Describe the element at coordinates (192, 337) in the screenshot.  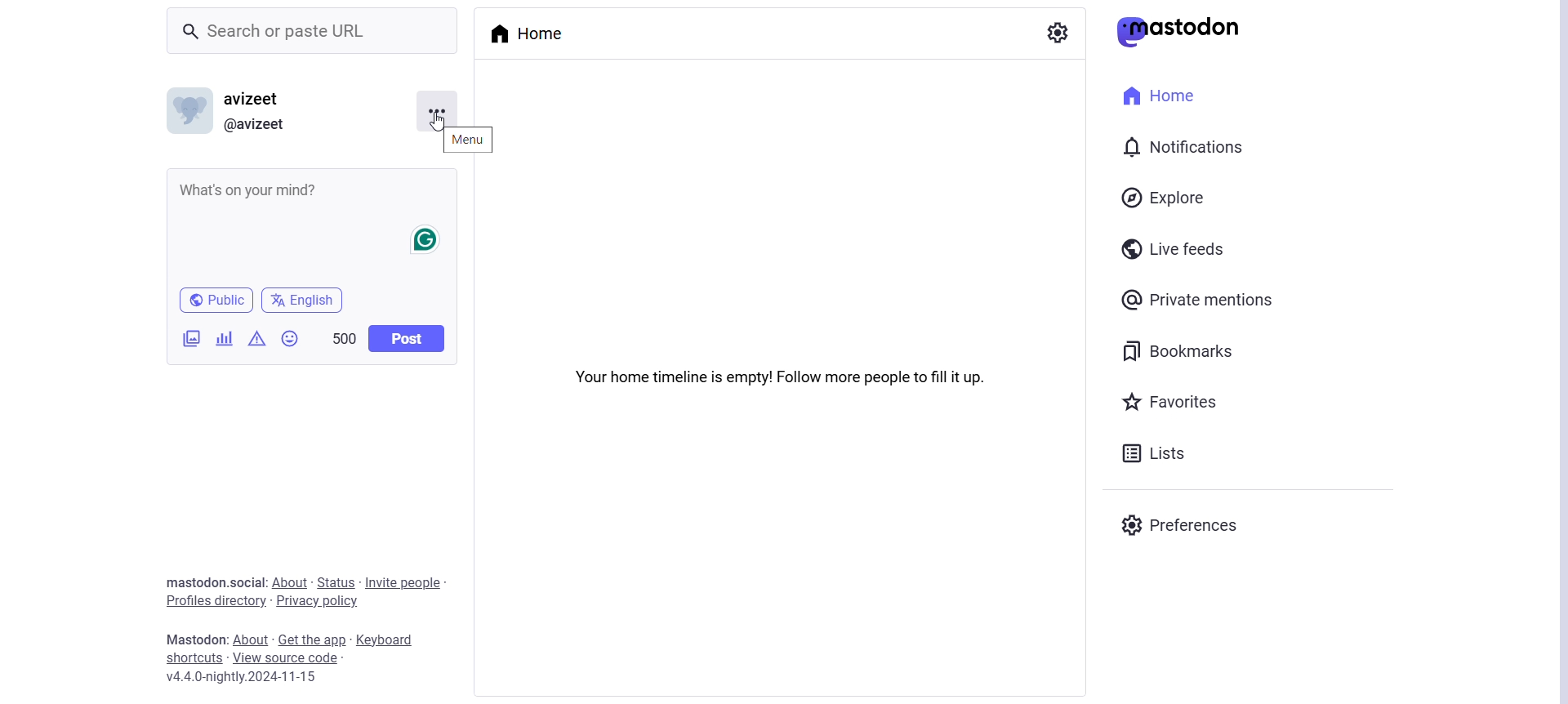
I see `Add Images` at that location.